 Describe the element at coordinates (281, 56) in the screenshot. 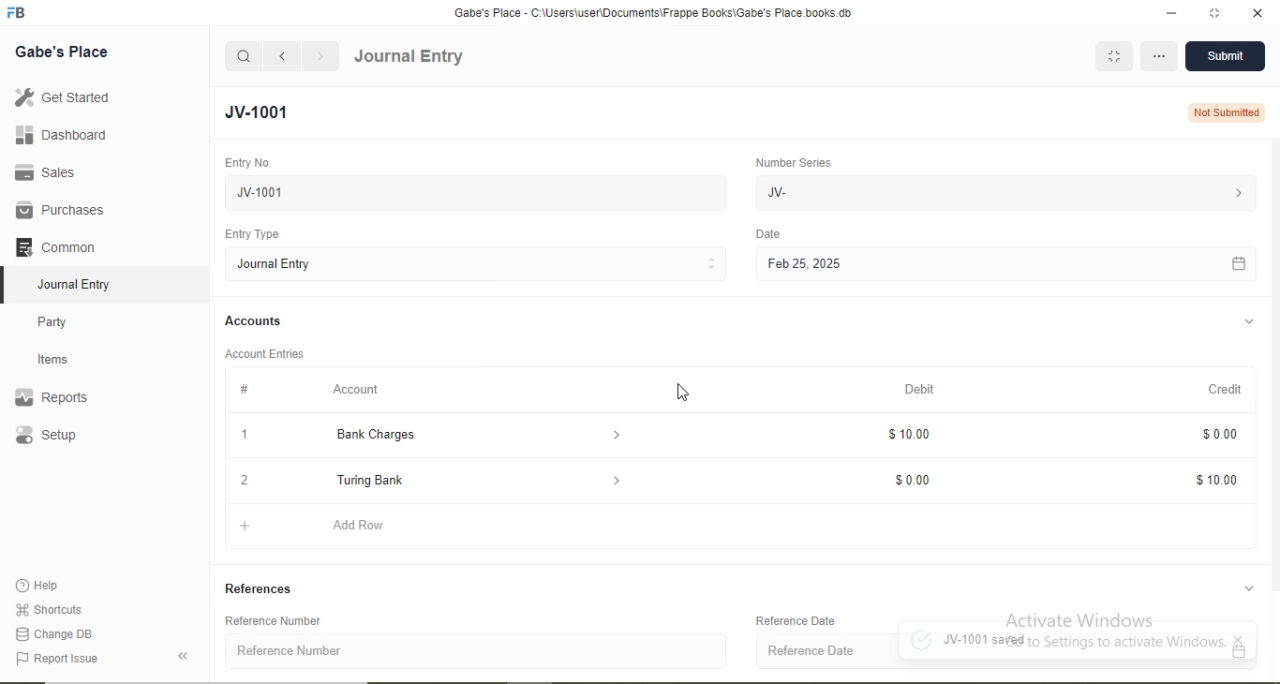

I see `navigate backward` at that location.